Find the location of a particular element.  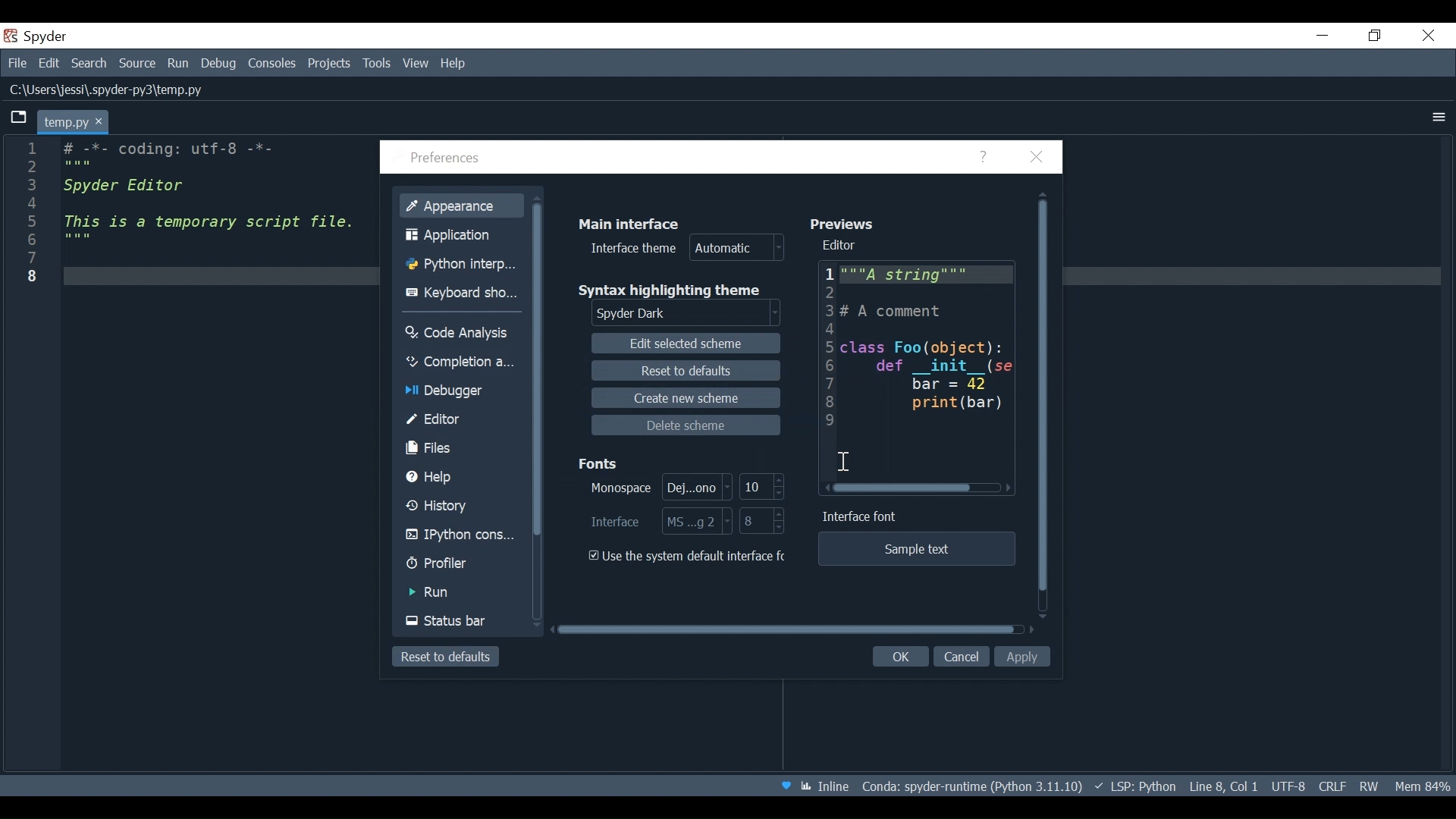

Consoles is located at coordinates (272, 64).